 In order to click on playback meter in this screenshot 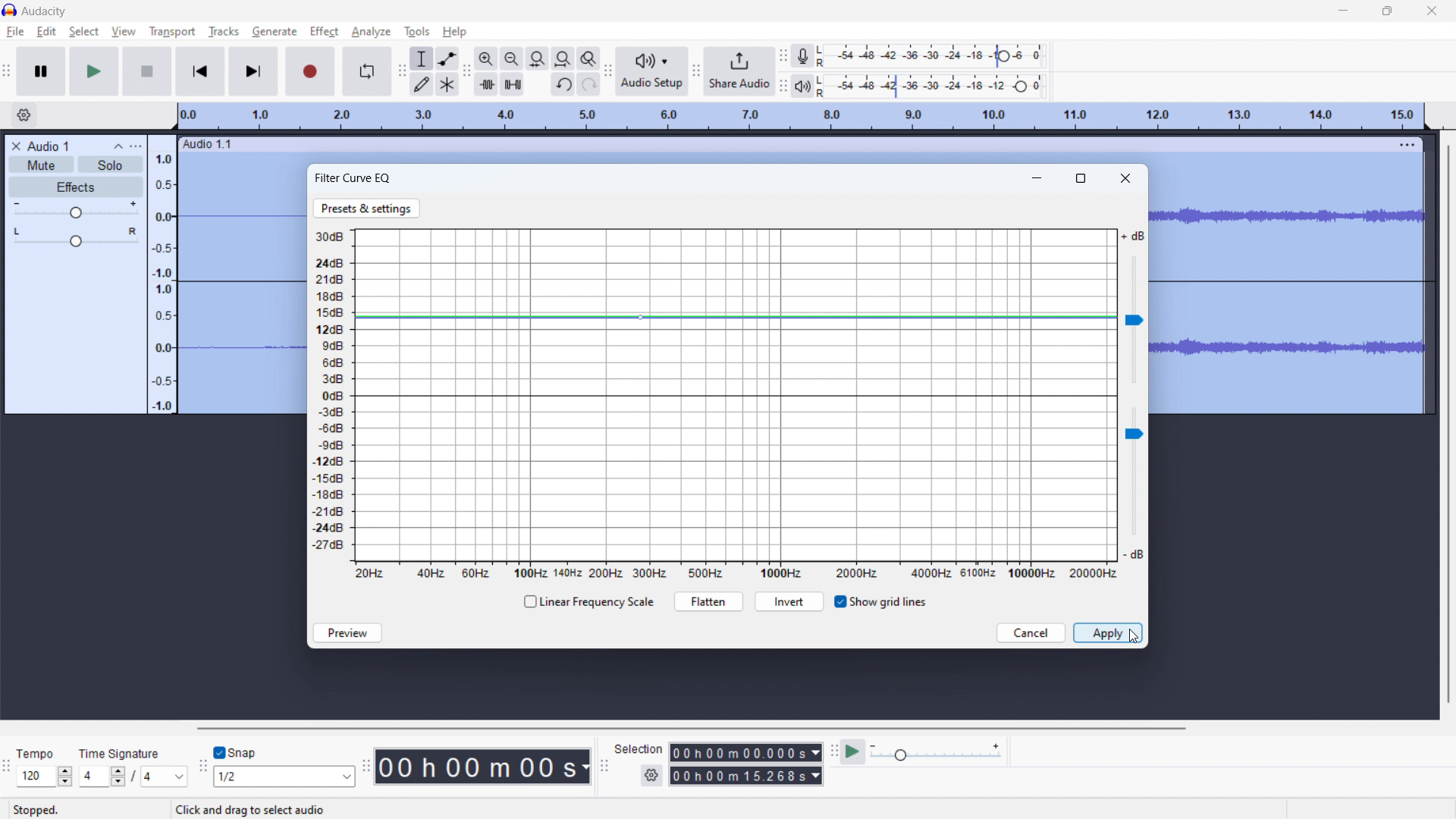, I will do `click(807, 85)`.